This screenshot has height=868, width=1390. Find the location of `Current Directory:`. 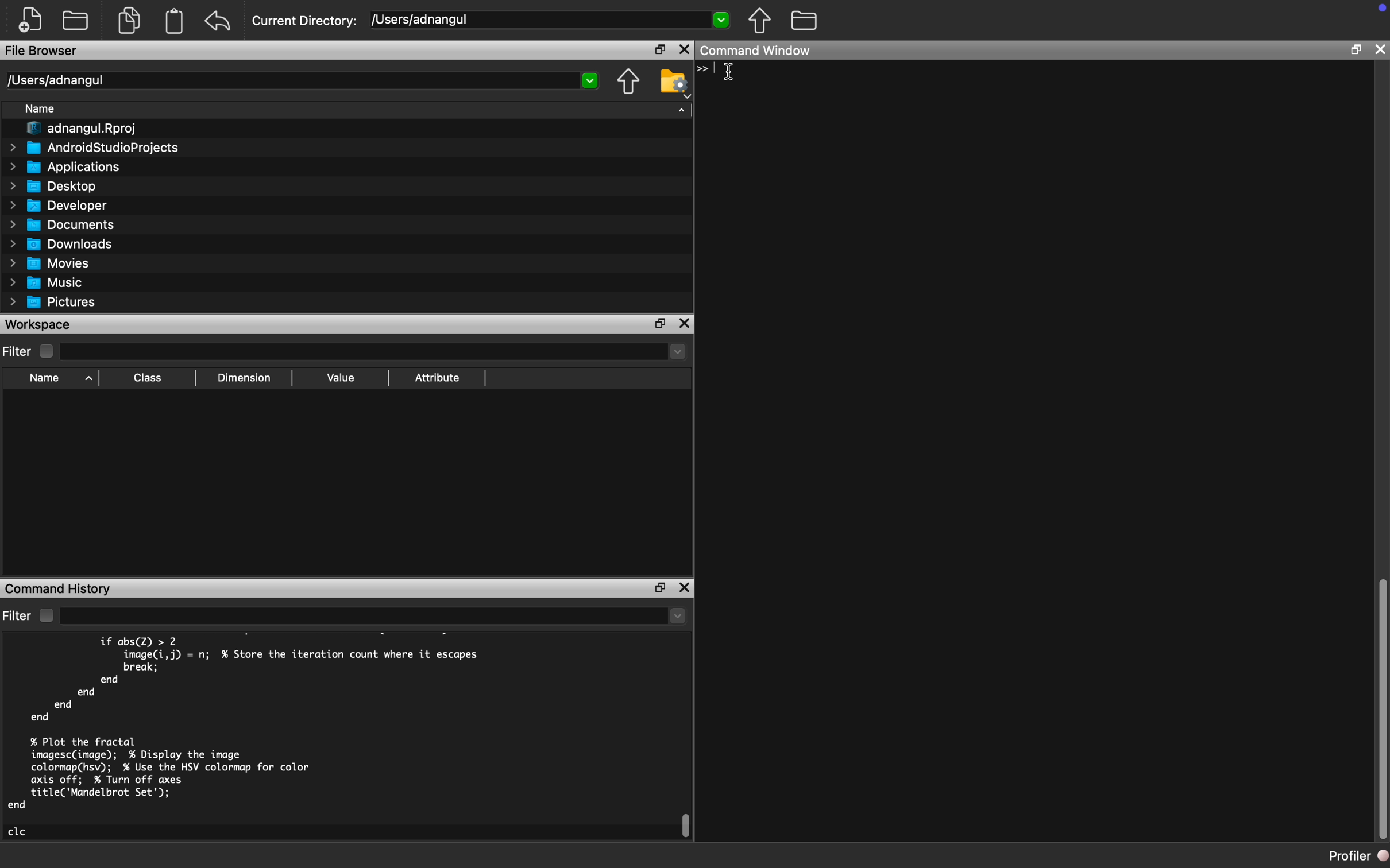

Current Directory: is located at coordinates (307, 20).